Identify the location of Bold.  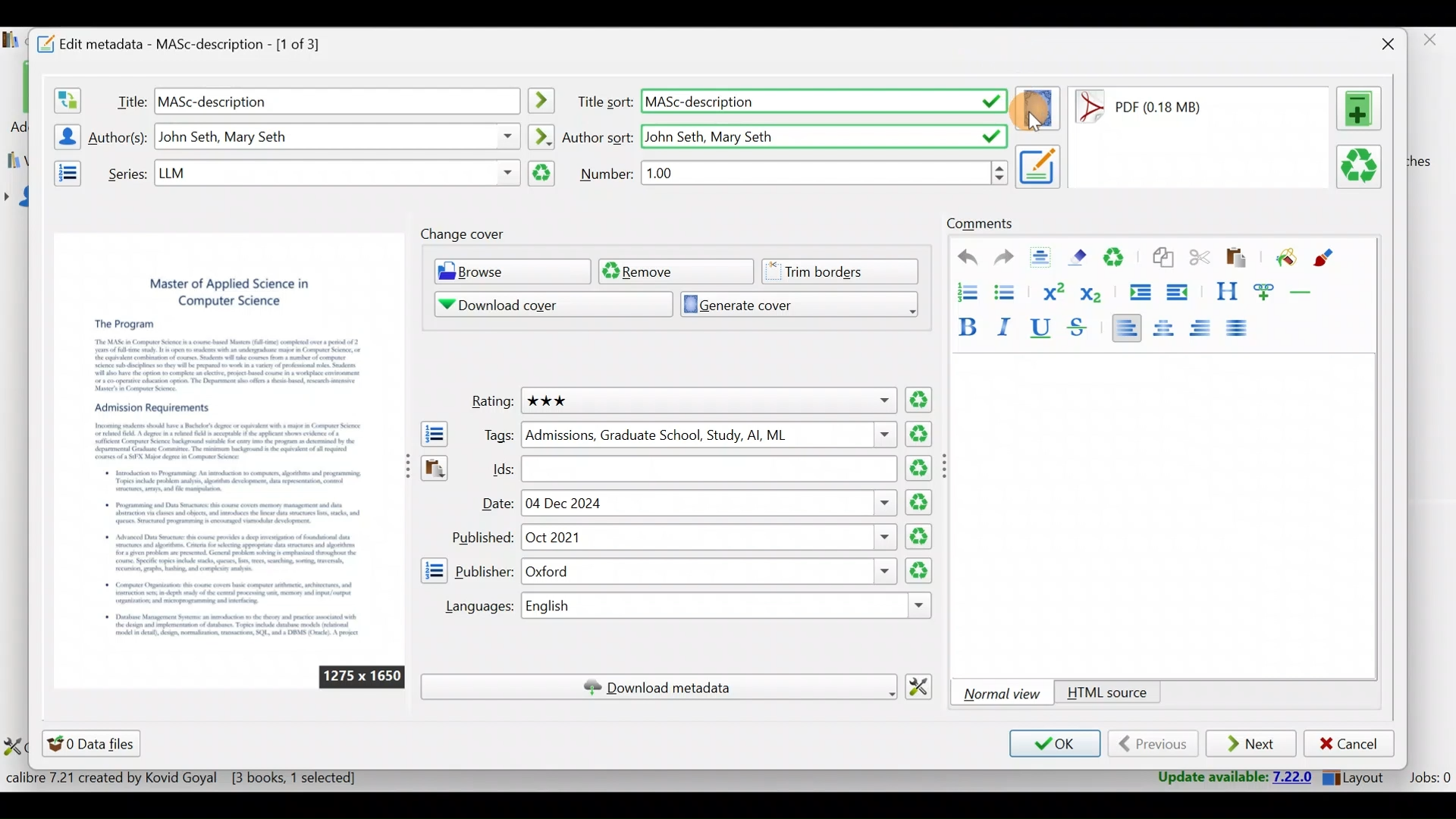
(965, 324).